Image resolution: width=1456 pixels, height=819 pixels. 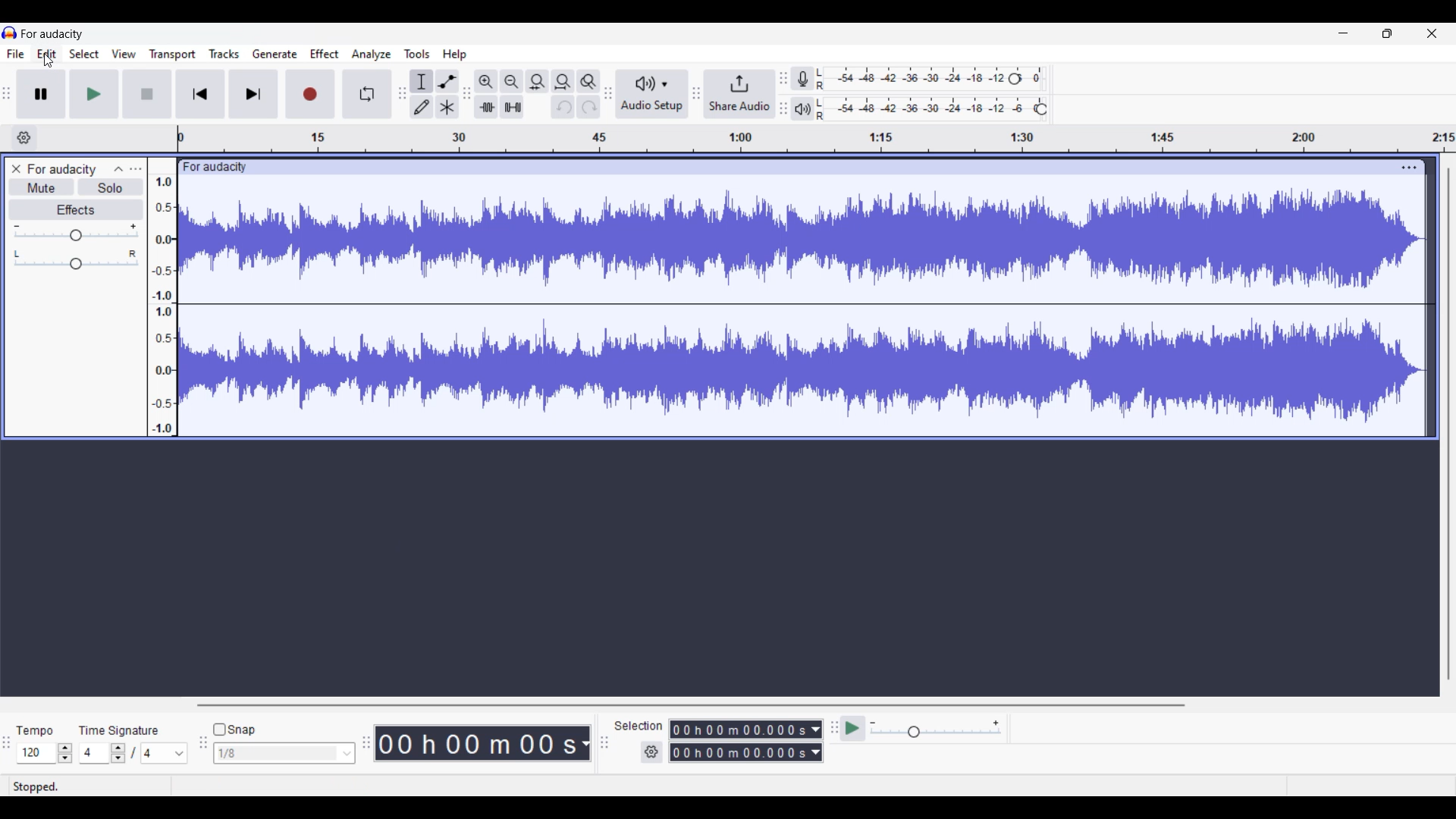 I want to click on Project name, so click(x=61, y=171).